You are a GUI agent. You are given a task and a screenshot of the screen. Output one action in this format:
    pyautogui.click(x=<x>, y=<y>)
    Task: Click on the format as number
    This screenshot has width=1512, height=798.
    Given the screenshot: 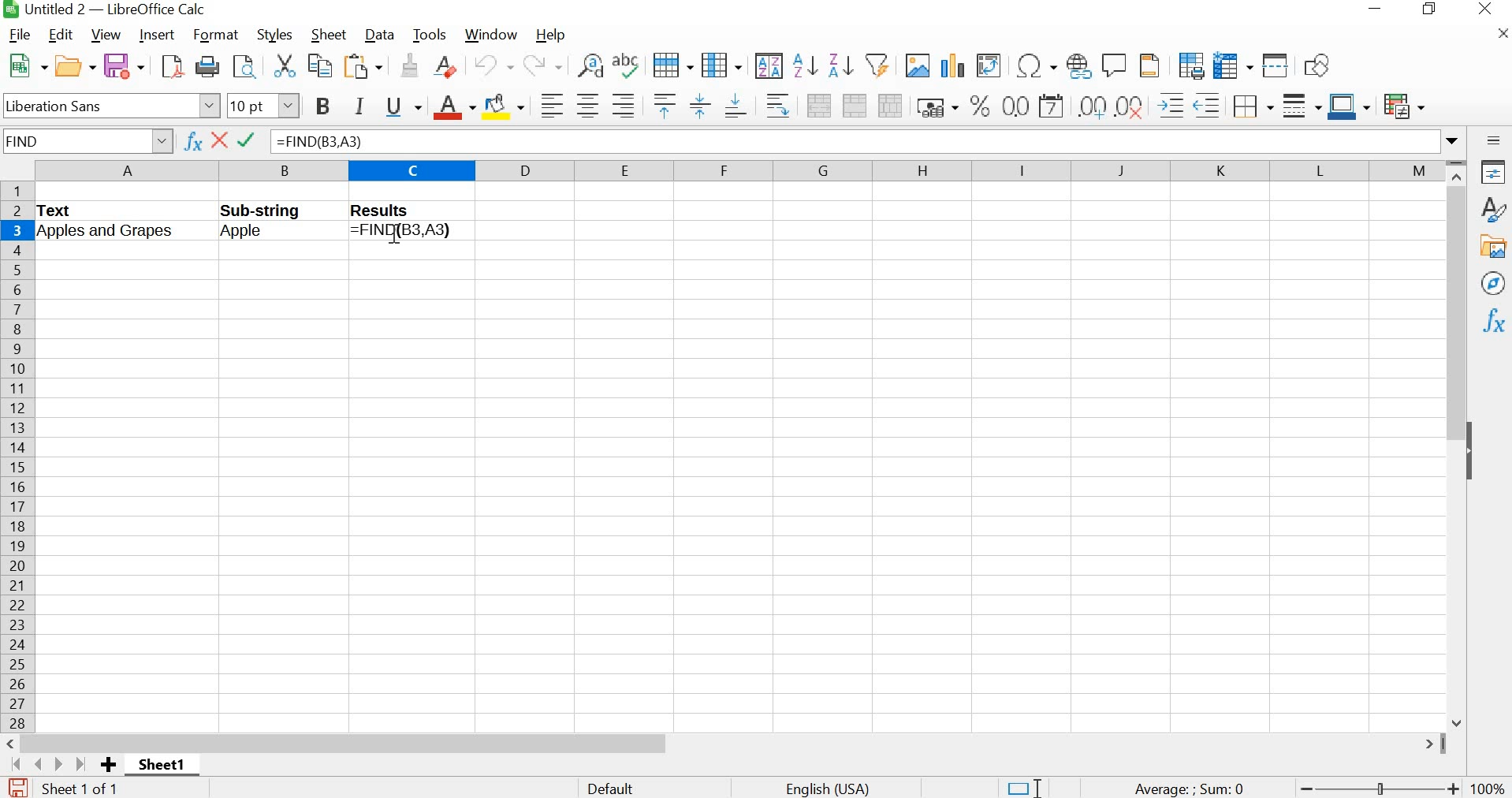 What is the action you would take?
    pyautogui.click(x=1015, y=106)
    